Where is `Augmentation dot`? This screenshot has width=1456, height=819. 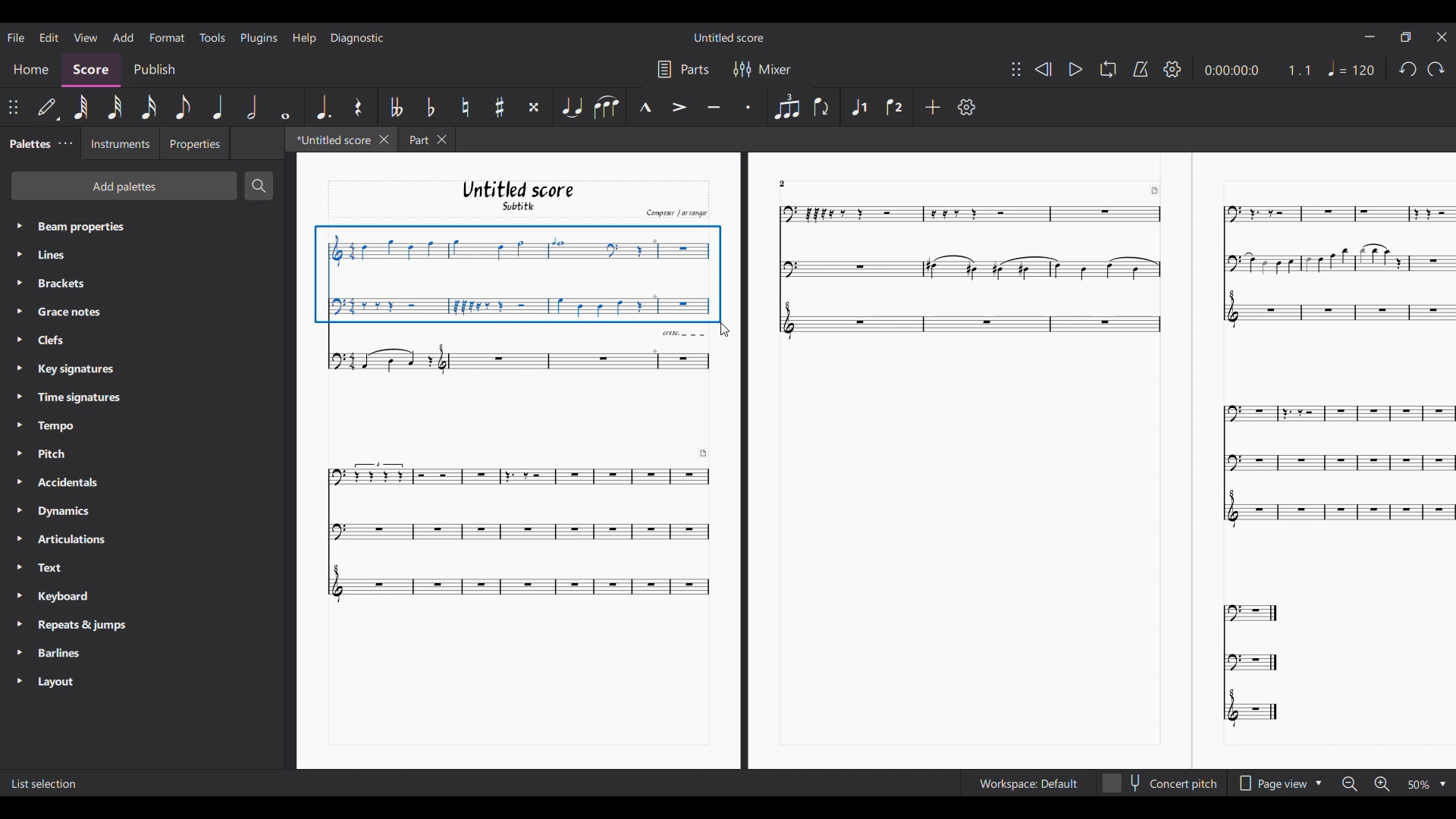 Augmentation dot is located at coordinates (322, 107).